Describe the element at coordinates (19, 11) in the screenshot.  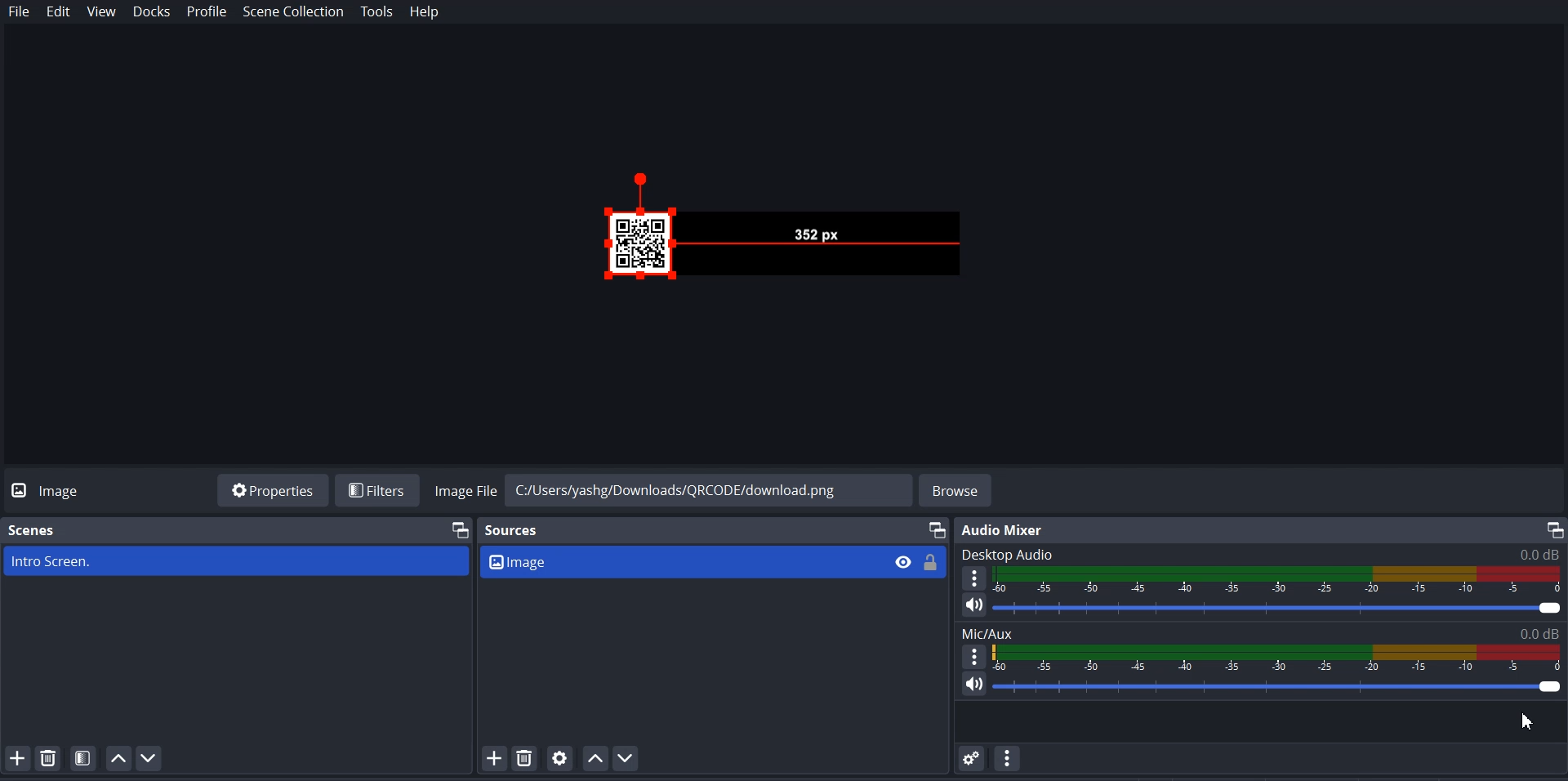
I see `File` at that location.